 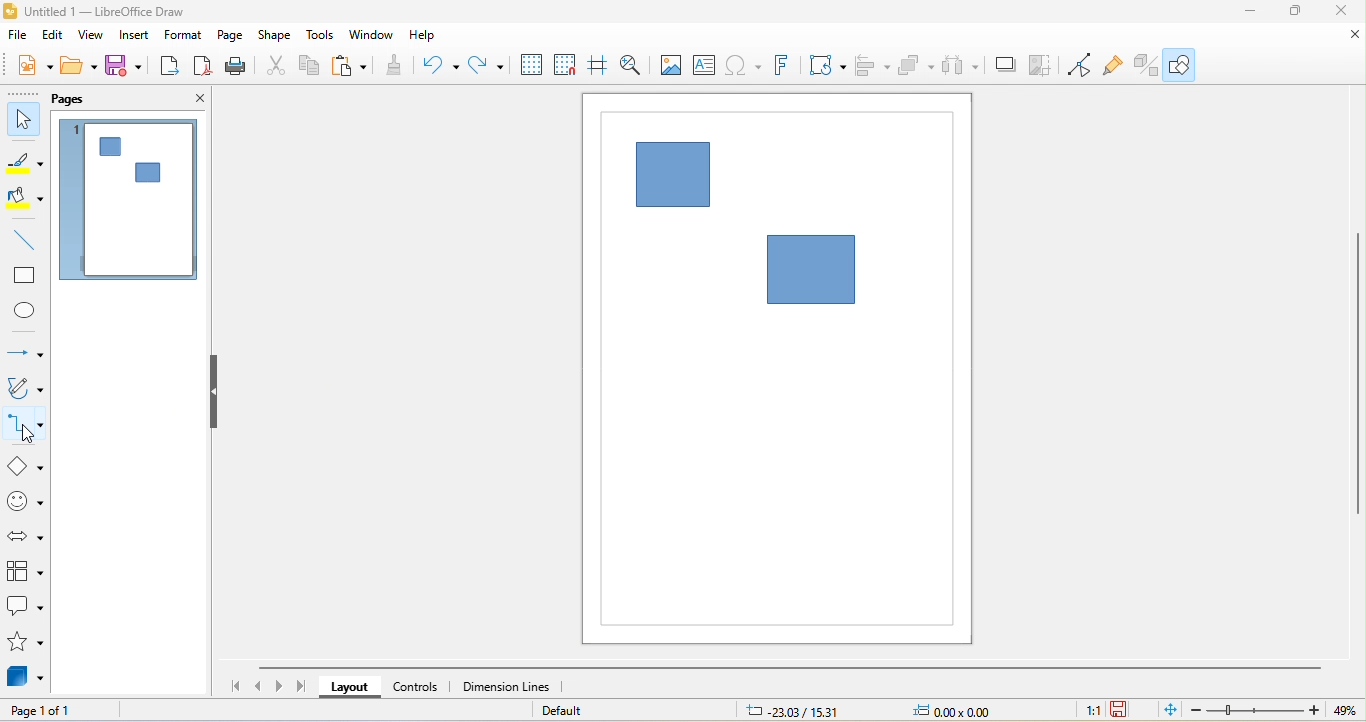 What do you see at coordinates (99, 11) in the screenshot?
I see `untitled 1-libre office draw` at bounding box center [99, 11].